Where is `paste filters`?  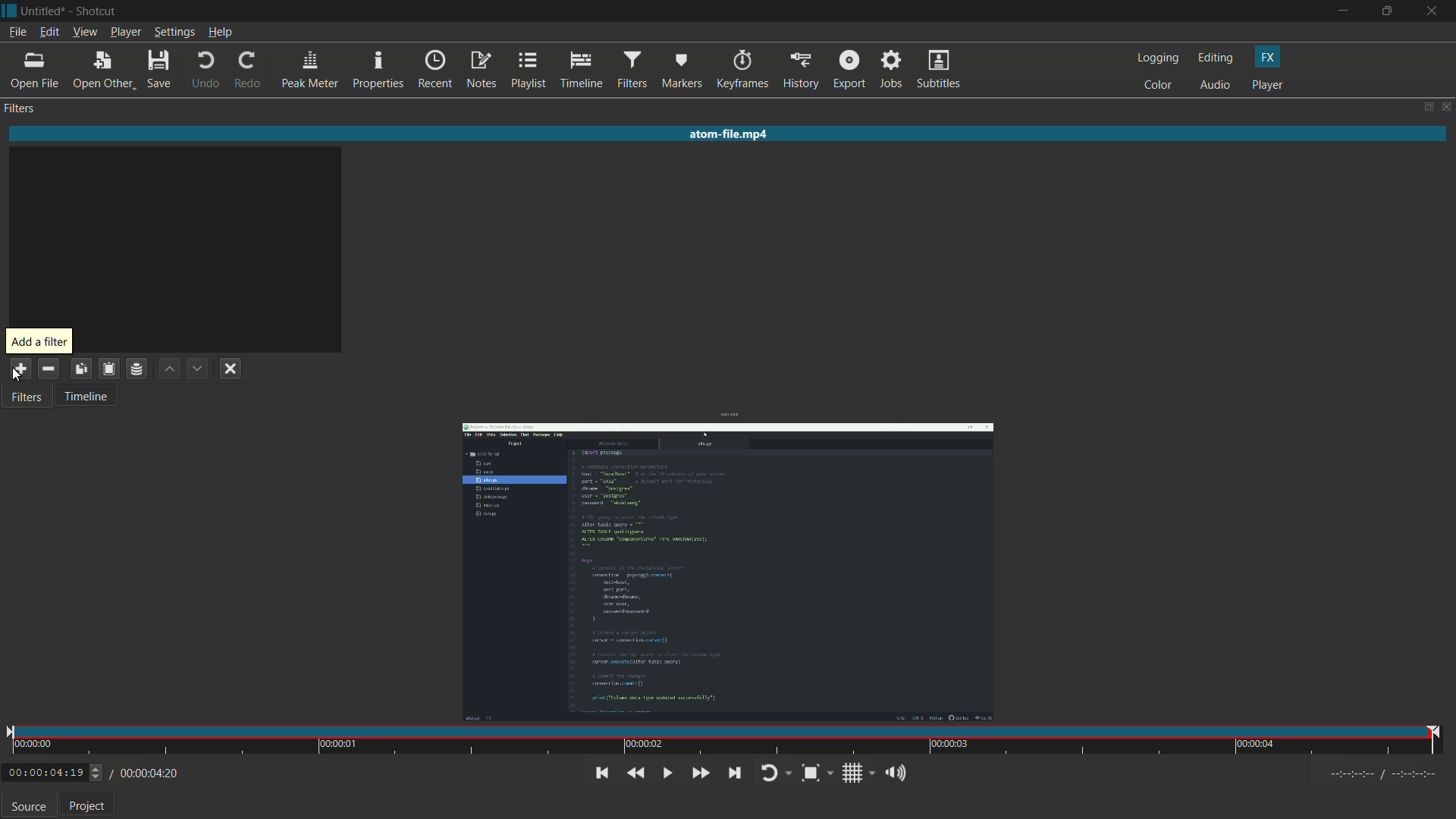
paste filters is located at coordinates (108, 368).